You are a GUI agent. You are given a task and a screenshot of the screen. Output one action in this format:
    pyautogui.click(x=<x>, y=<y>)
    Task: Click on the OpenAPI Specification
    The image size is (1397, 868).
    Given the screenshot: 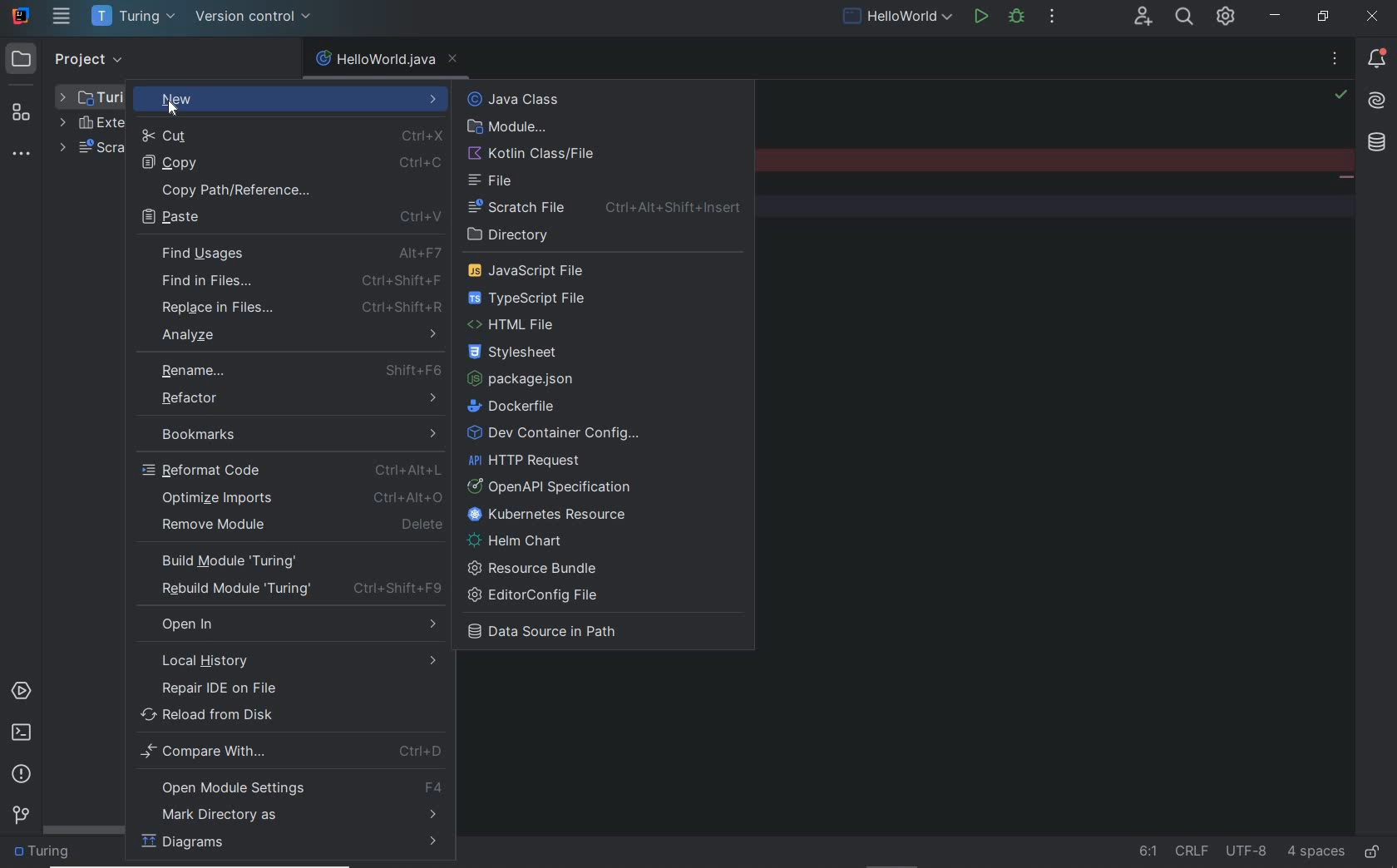 What is the action you would take?
    pyautogui.click(x=555, y=486)
    